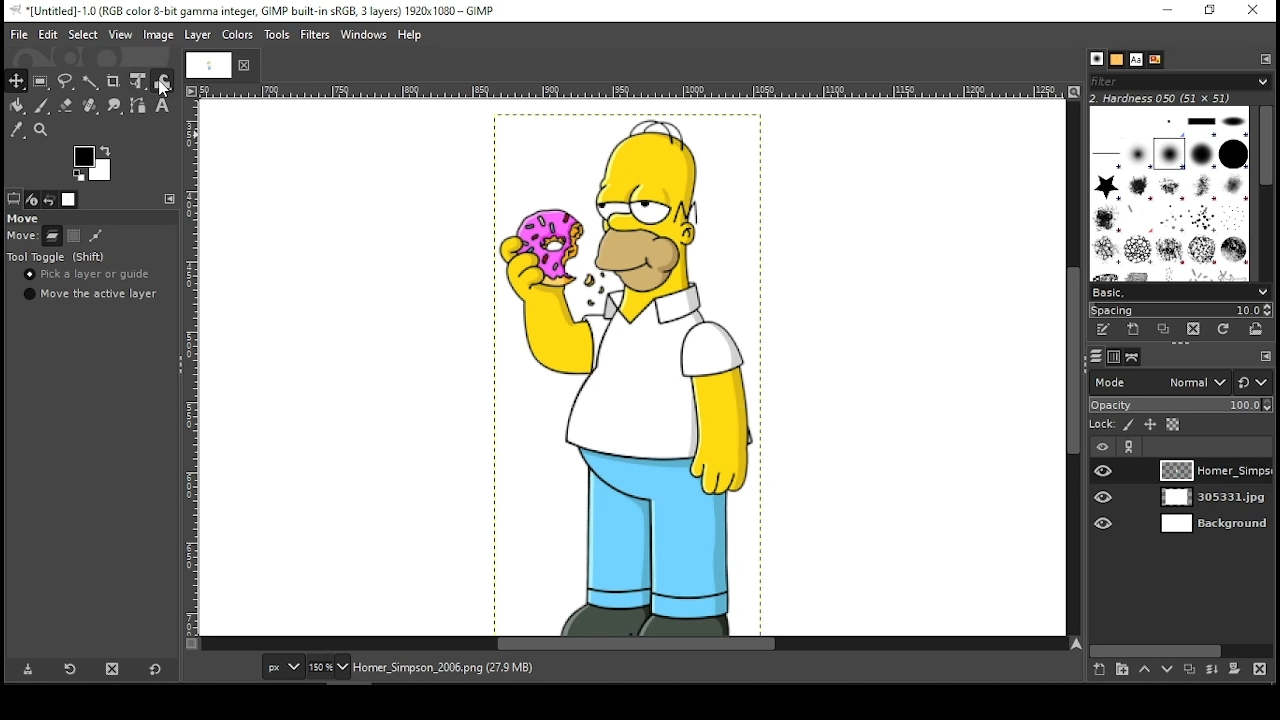 The image size is (1280, 720). Describe the element at coordinates (15, 199) in the screenshot. I see `tool options` at that location.